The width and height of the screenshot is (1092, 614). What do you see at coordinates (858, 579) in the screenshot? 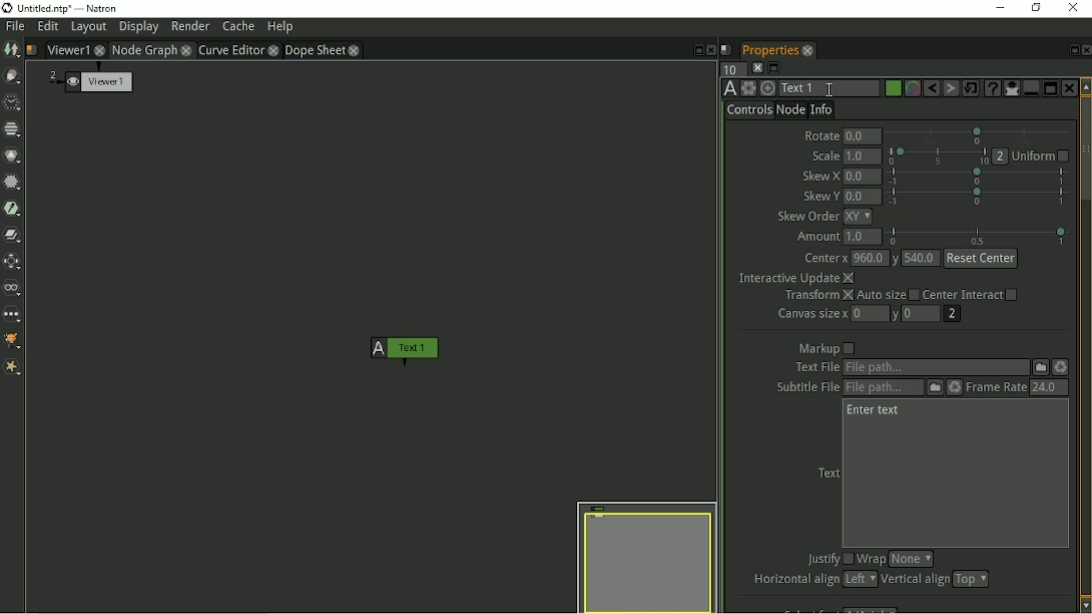
I see `left` at bounding box center [858, 579].